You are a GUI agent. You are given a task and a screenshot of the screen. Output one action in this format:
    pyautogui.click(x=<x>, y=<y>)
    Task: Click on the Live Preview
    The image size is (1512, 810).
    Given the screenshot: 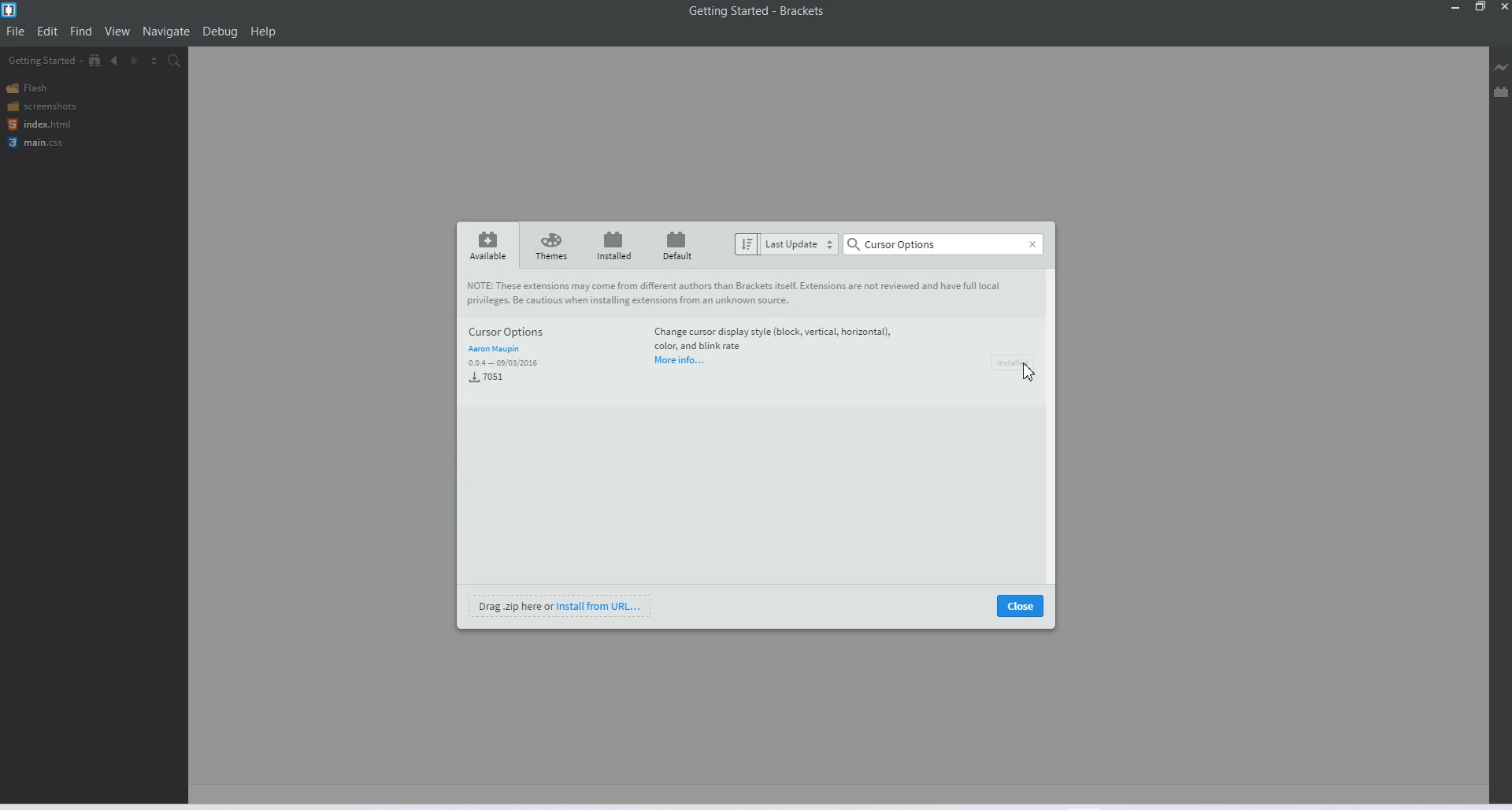 What is the action you would take?
    pyautogui.click(x=1501, y=67)
    